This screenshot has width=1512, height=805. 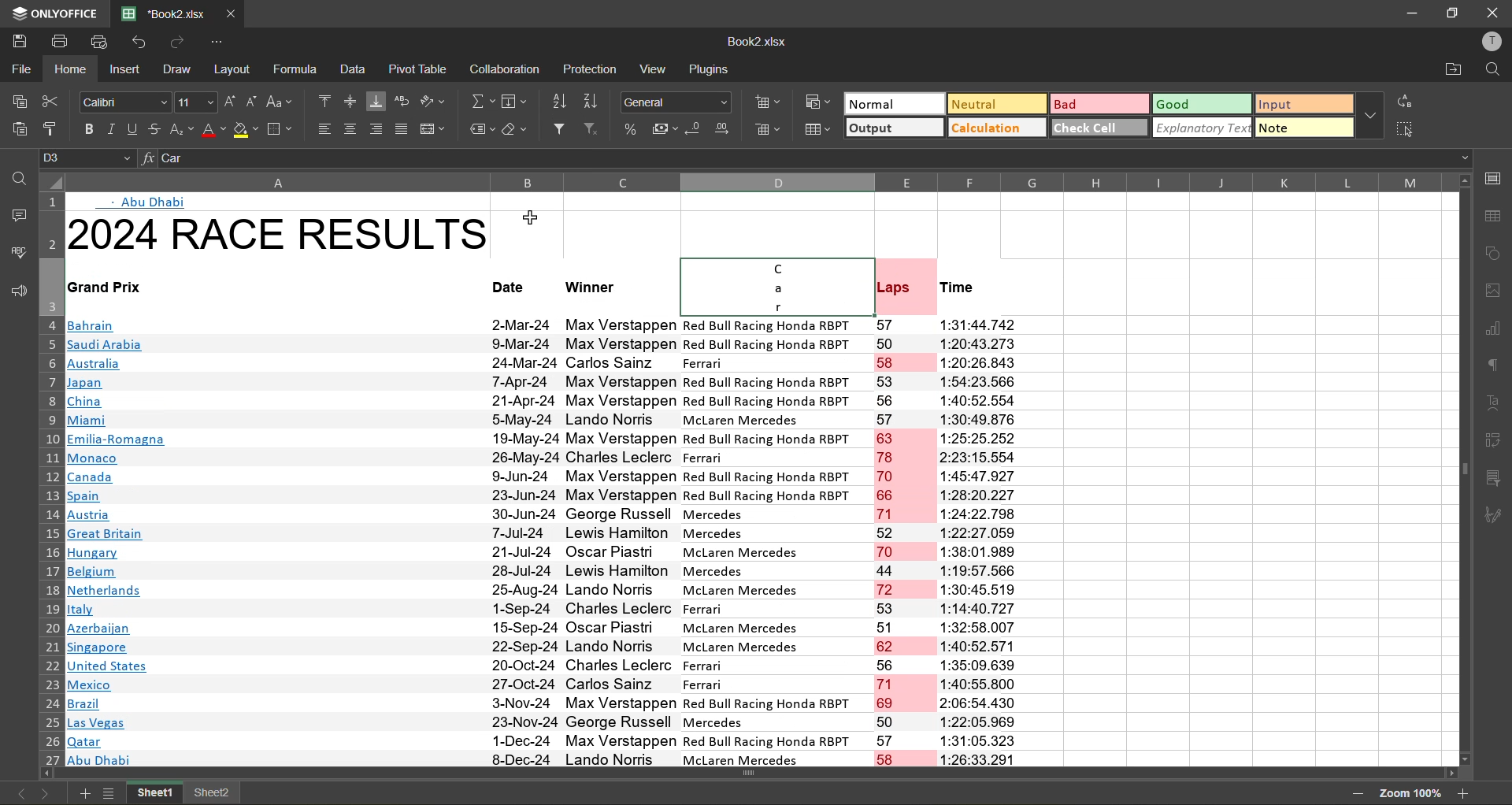 I want to click on draw, so click(x=180, y=72).